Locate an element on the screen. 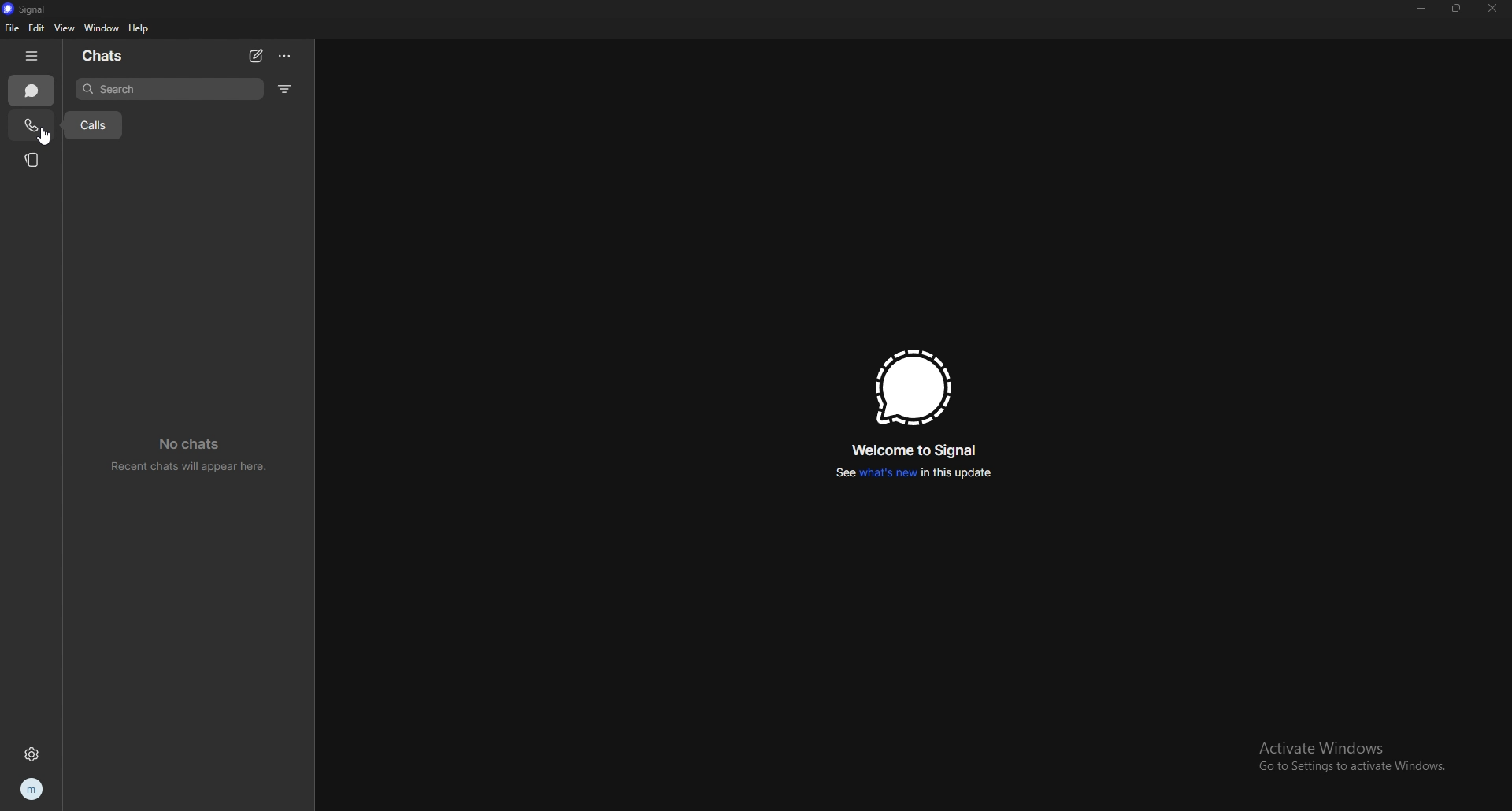 The image size is (1512, 811). search is located at coordinates (171, 87).